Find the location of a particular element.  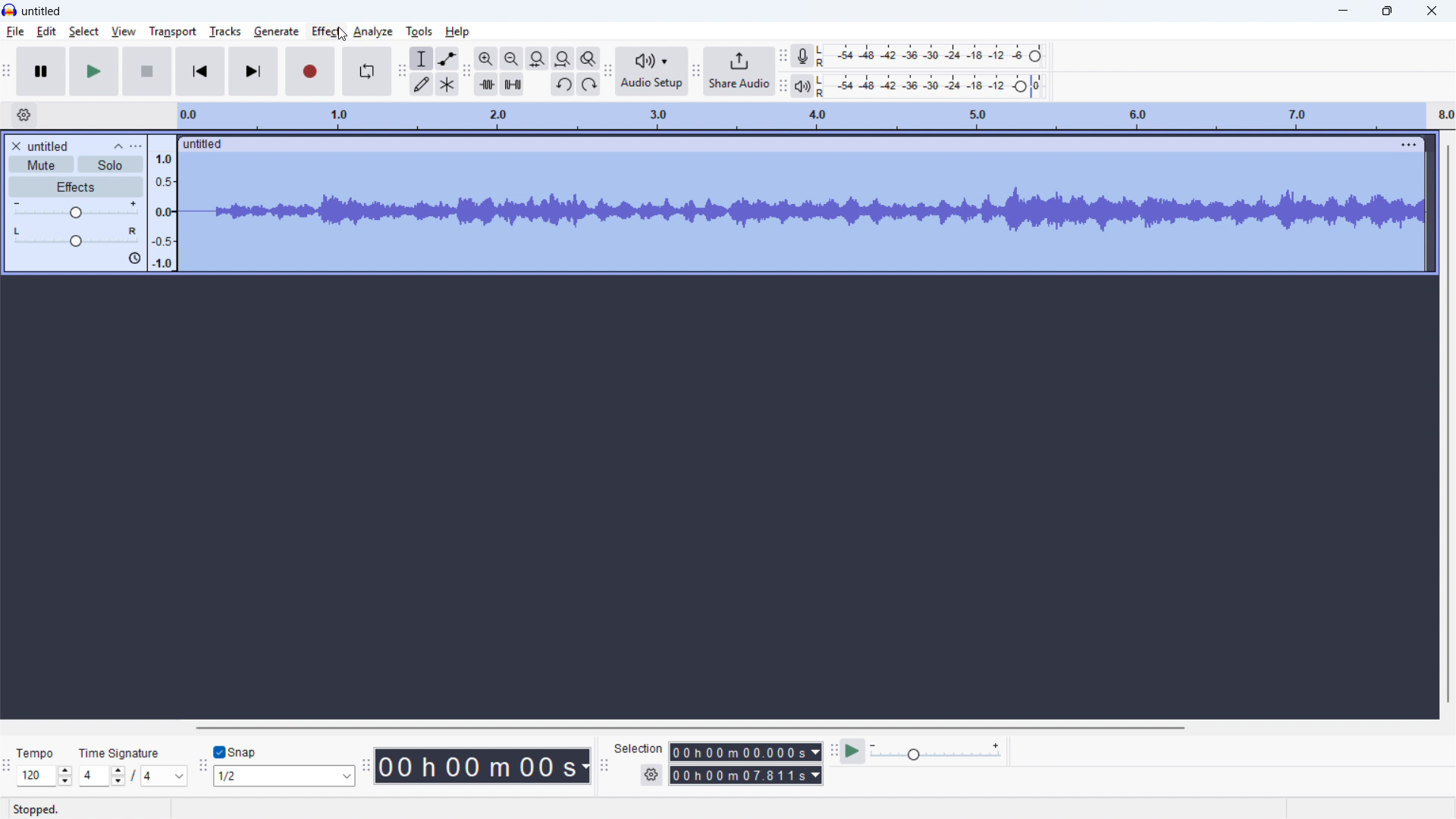

Selection toolbar  is located at coordinates (604, 768).